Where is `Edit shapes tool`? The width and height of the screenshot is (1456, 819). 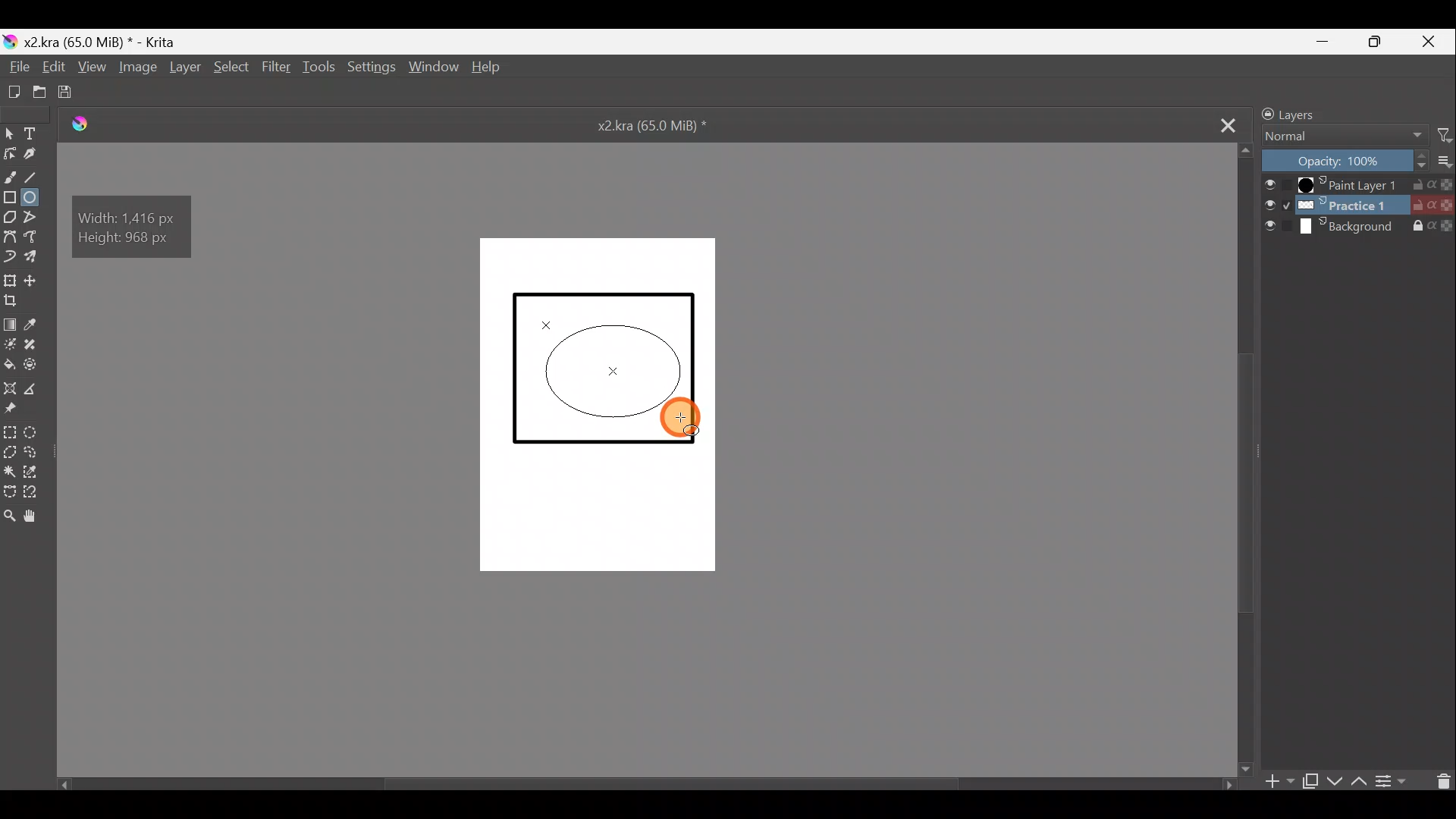 Edit shapes tool is located at coordinates (11, 155).